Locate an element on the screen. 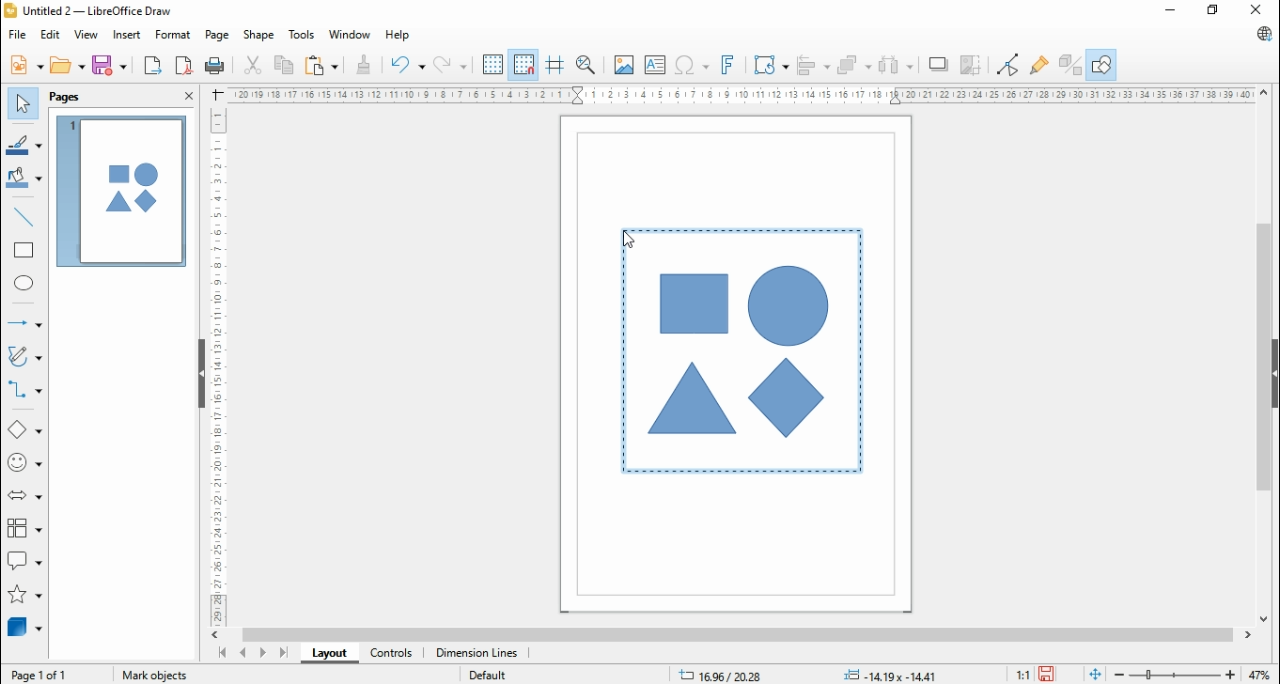 Image resolution: width=1280 pixels, height=684 pixels. shape 4 is located at coordinates (789, 399).